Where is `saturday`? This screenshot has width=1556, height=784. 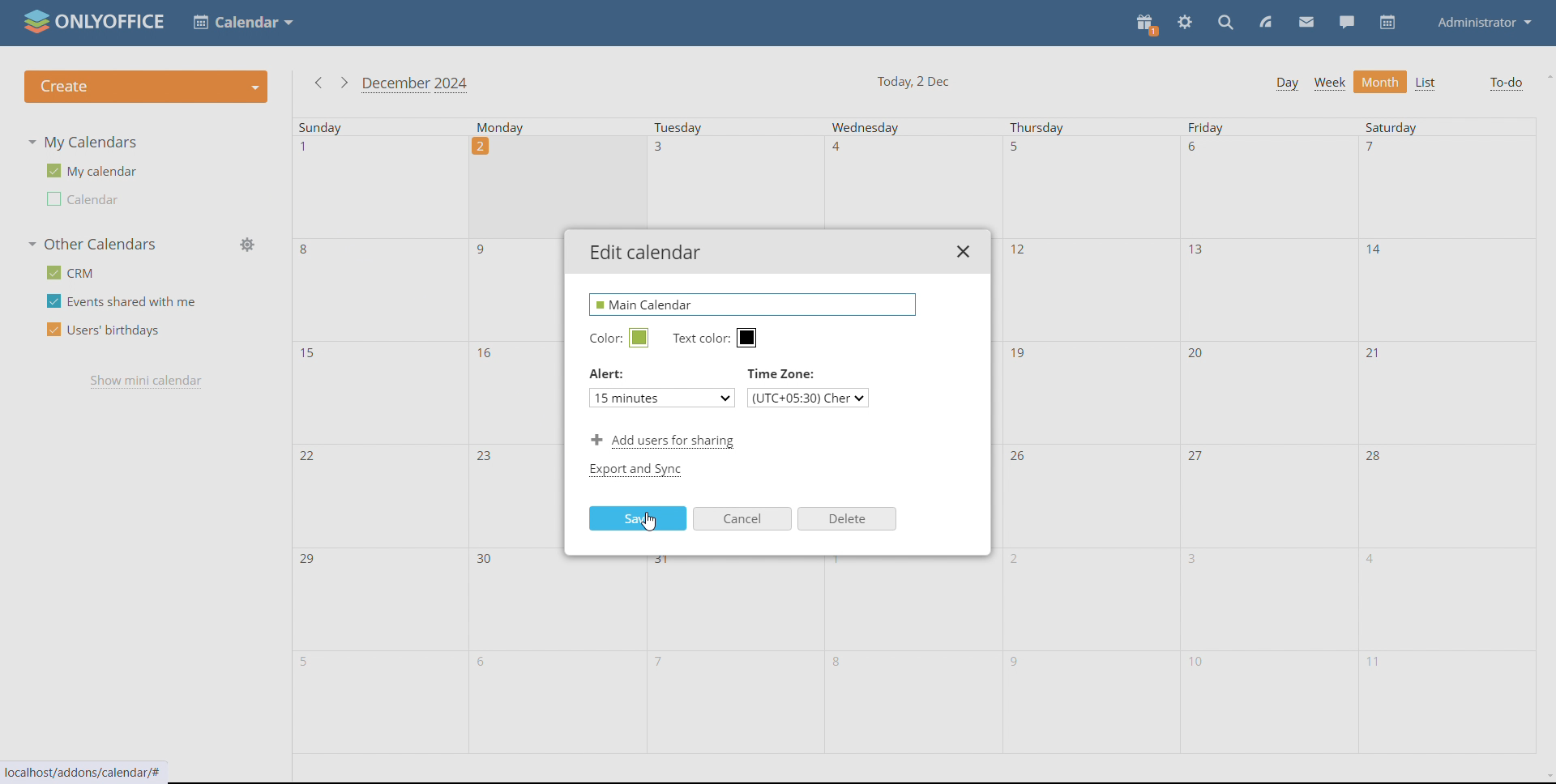 saturday is located at coordinates (1448, 124).